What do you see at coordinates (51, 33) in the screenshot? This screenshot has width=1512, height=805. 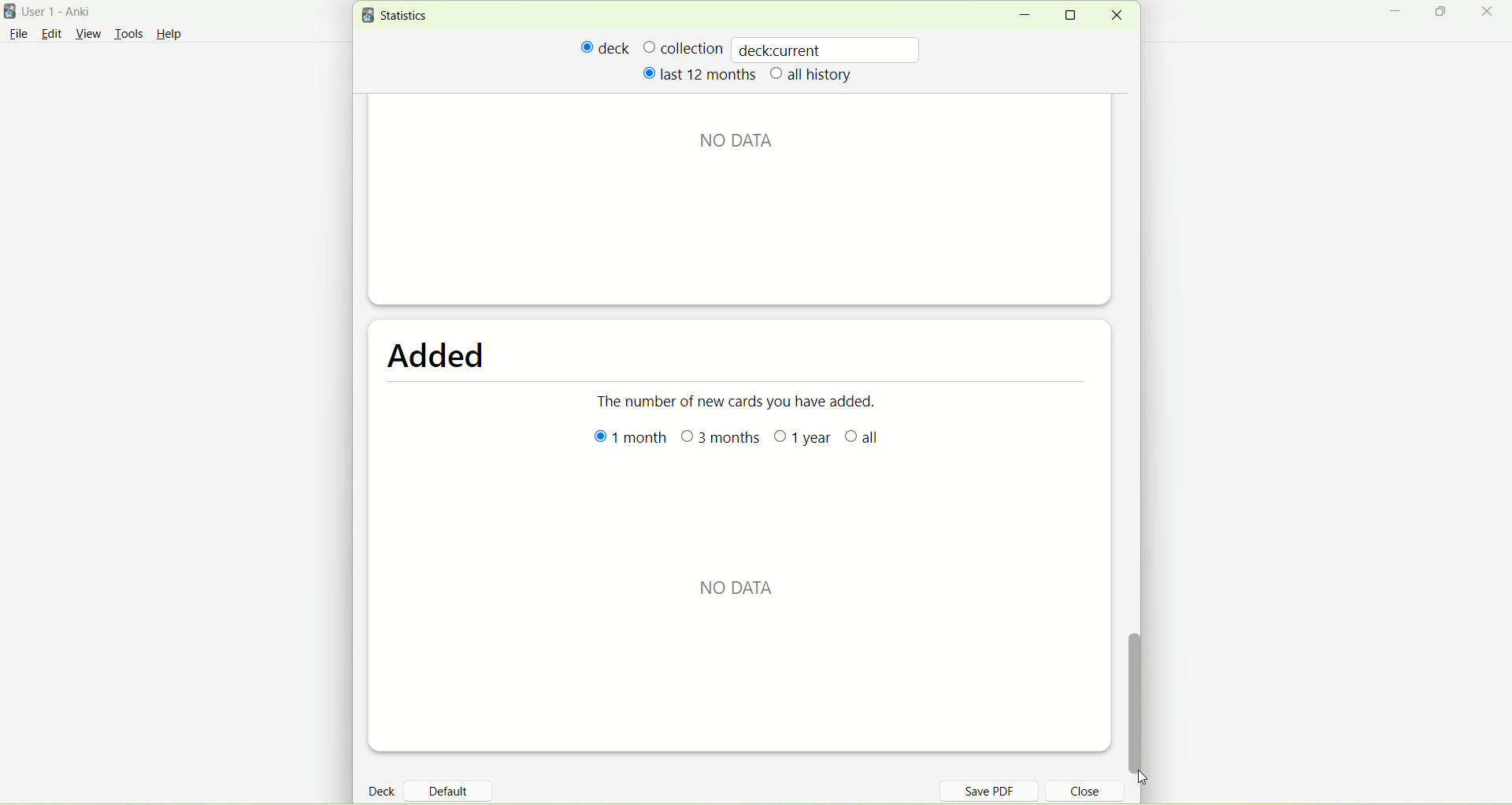 I see `edit` at bounding box center [51, 33].